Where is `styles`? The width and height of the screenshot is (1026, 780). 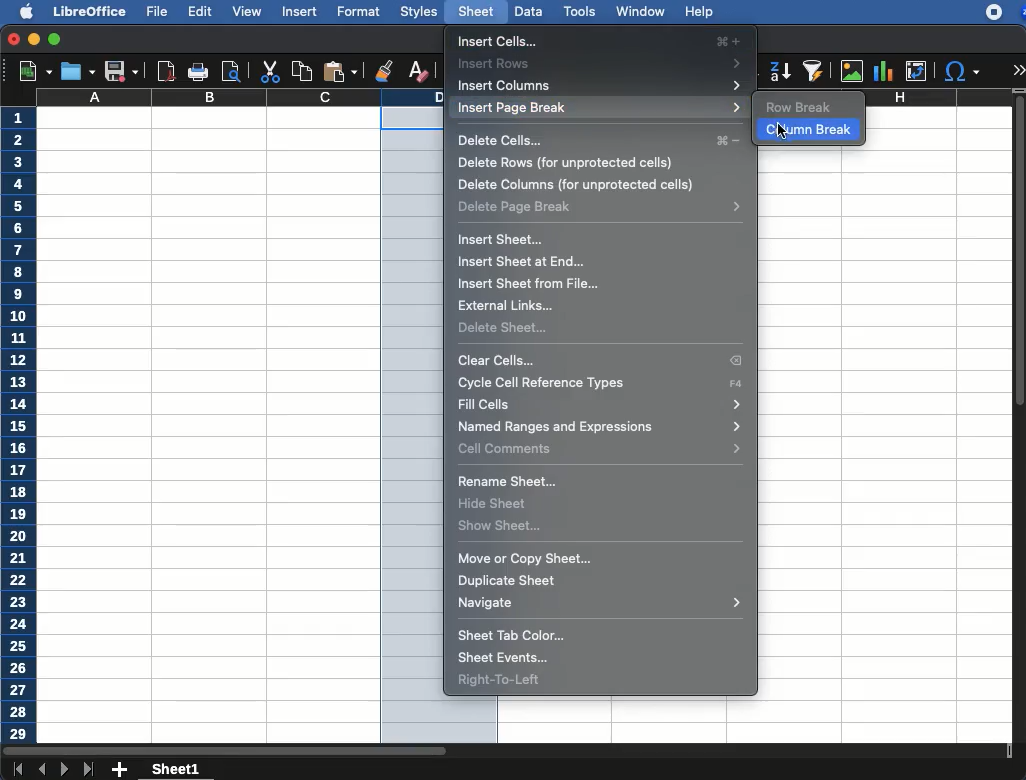
styles is located at coordinates (418, 11).